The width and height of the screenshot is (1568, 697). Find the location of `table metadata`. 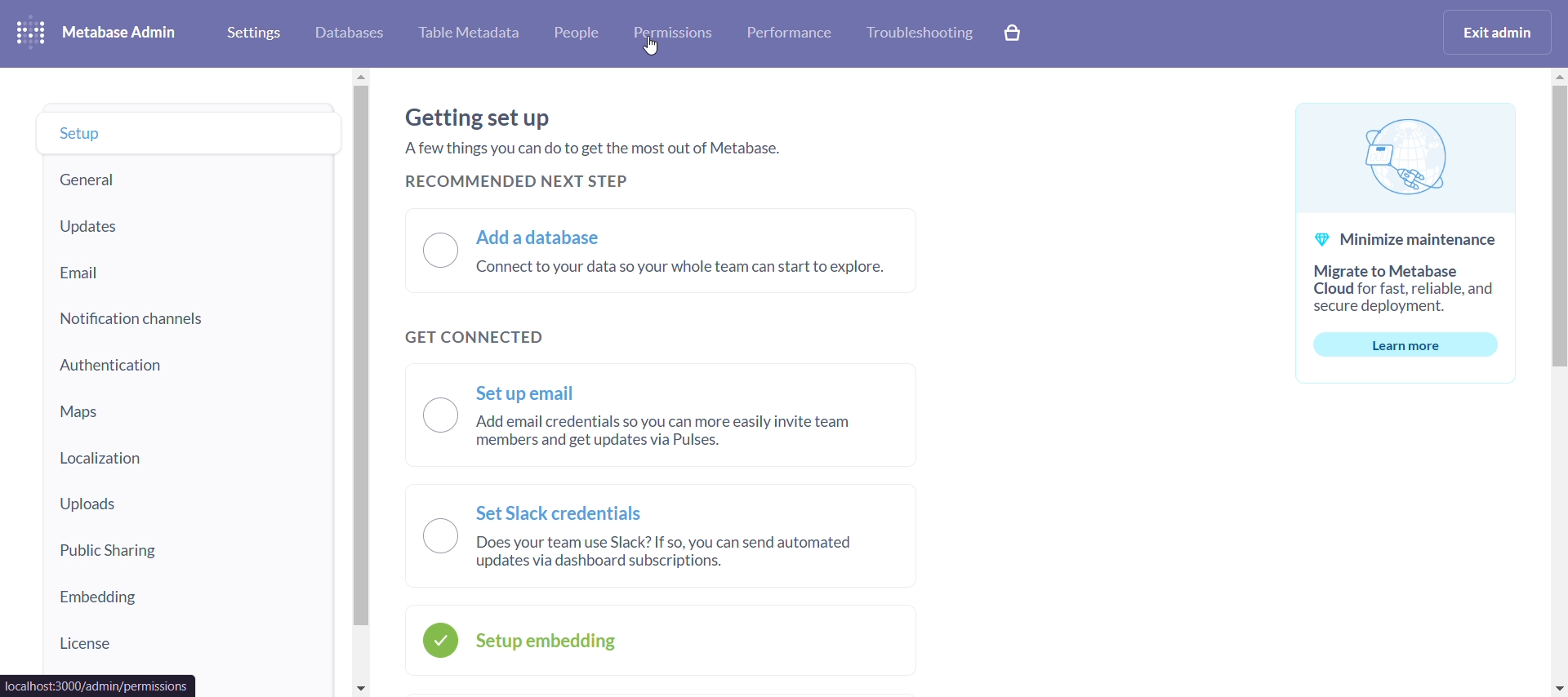

table metadata is located at coordinates (468, 33).